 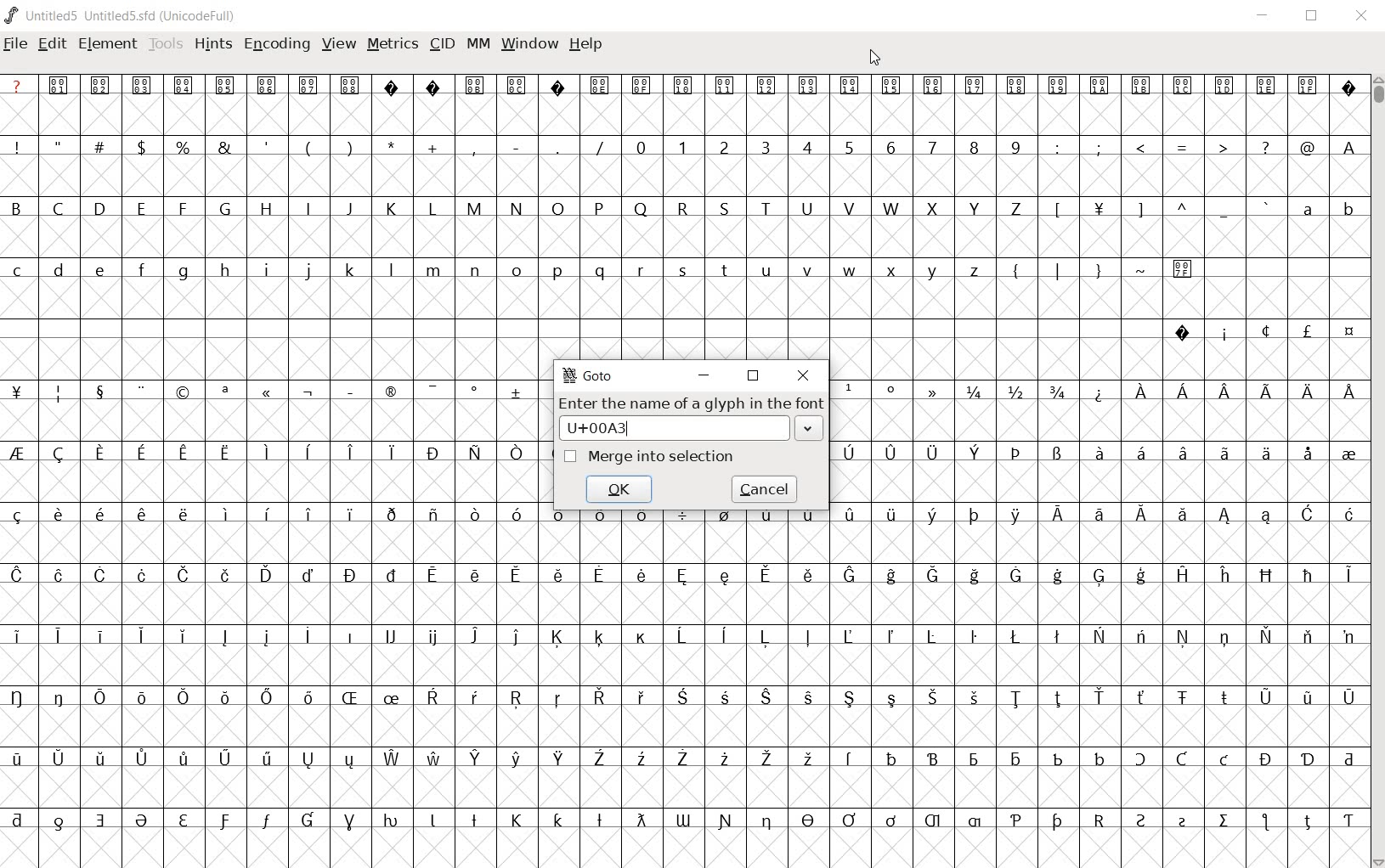 What do you see at coordinates (517, 390) in the screenshot?
I see `Symbol` at bounding box center [517, 390].